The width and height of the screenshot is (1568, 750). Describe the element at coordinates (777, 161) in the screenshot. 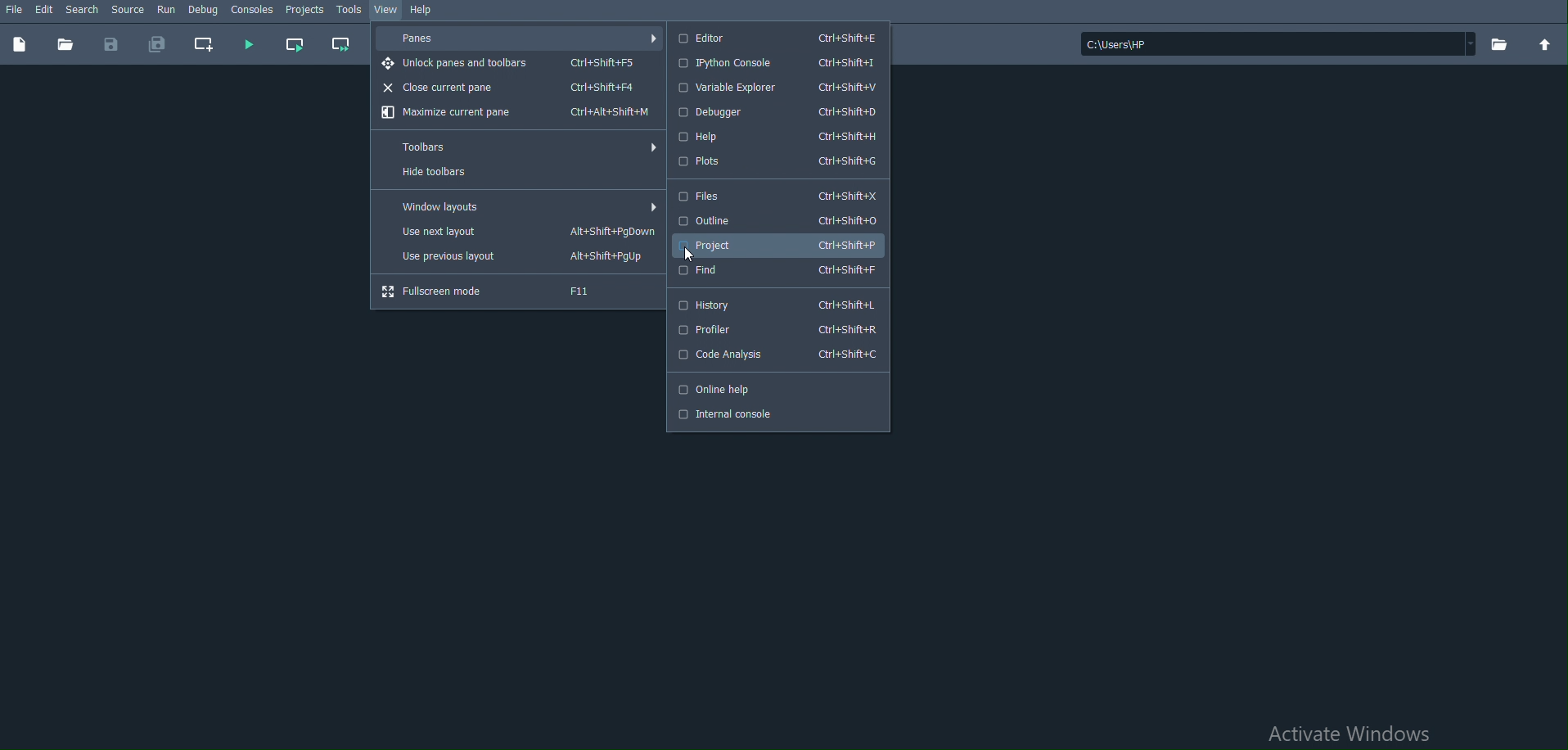

I see `Plots` at that location.